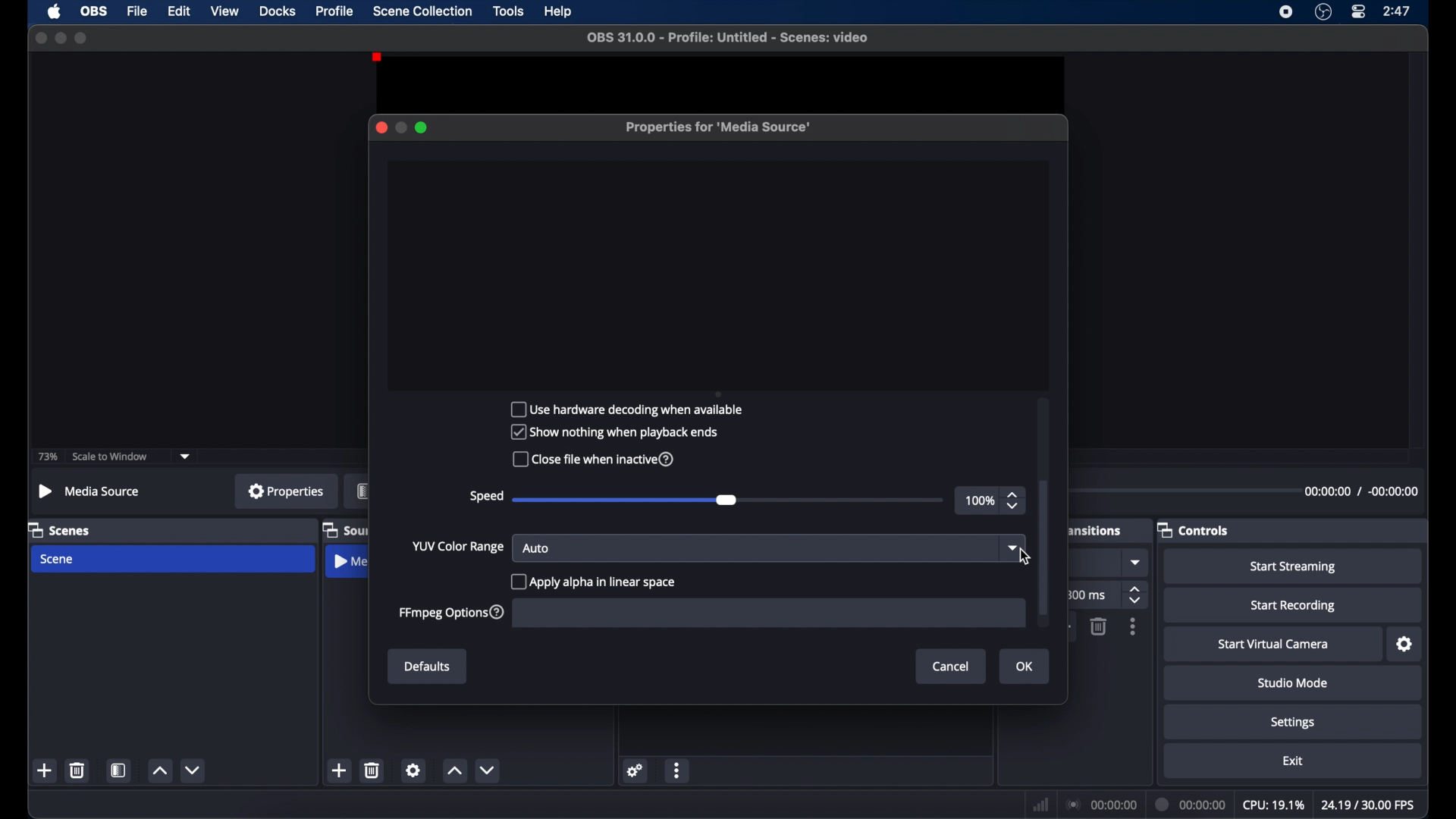 The height and width of the screenshot is (819, 1456). Describe the element at coordinates (601, 460) in the screenshot. I see `Close file when inactive` at that location.